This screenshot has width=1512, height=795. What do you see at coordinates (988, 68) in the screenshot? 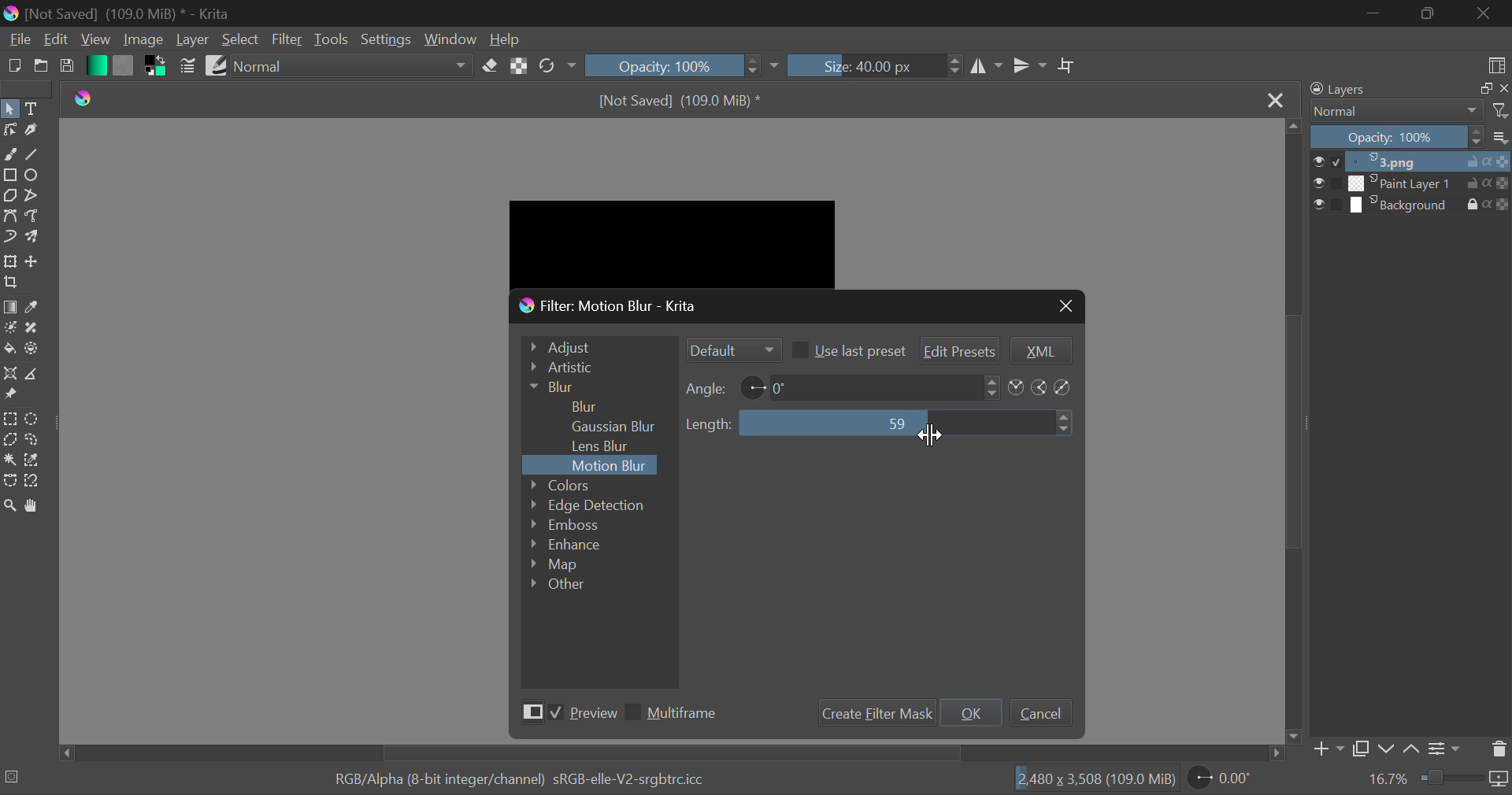
I see `Vertical Mirror Flip` at bounding box center [988, 68].